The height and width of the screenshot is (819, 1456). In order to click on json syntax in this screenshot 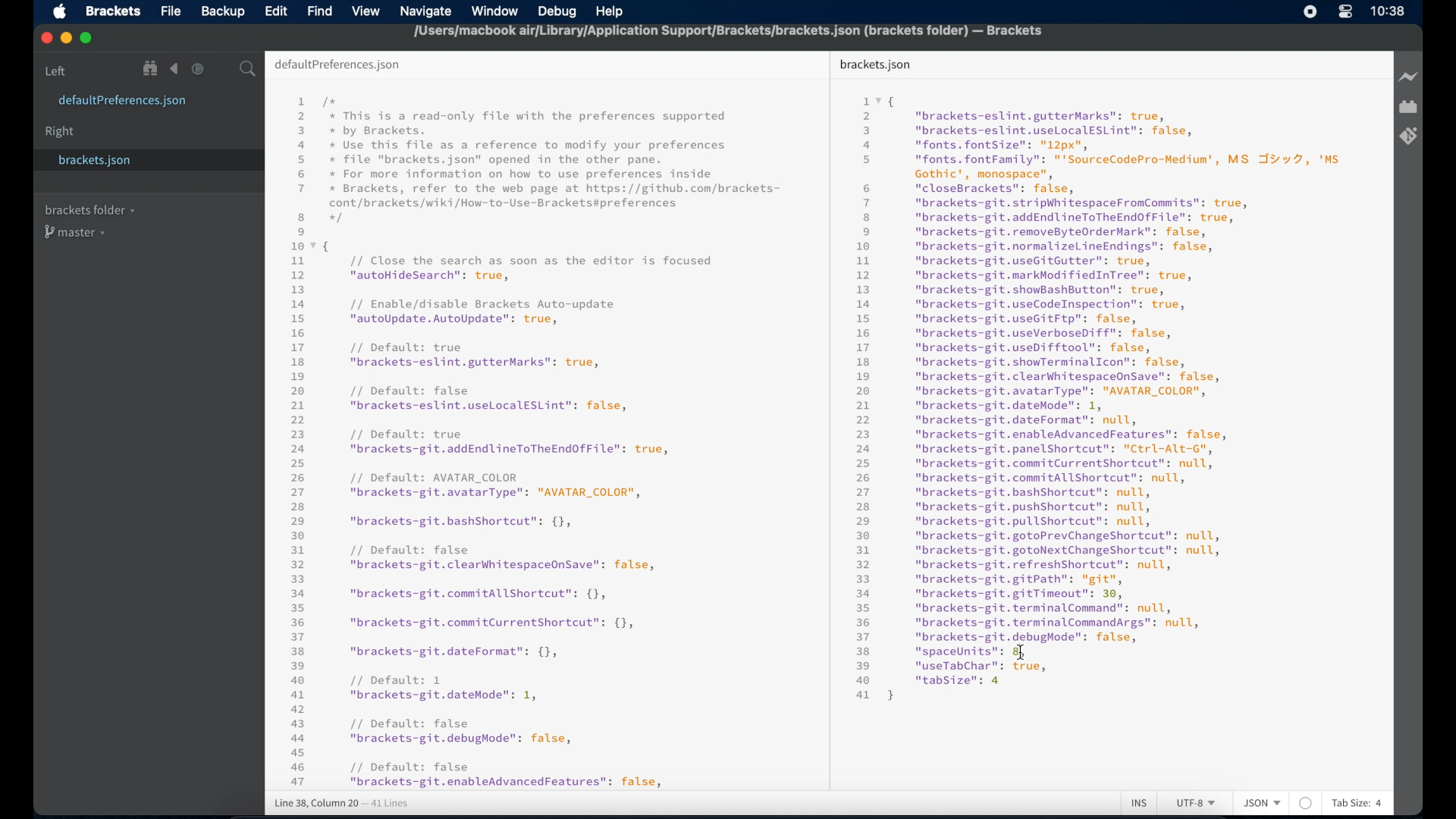, I will do `click(535, 441)`.